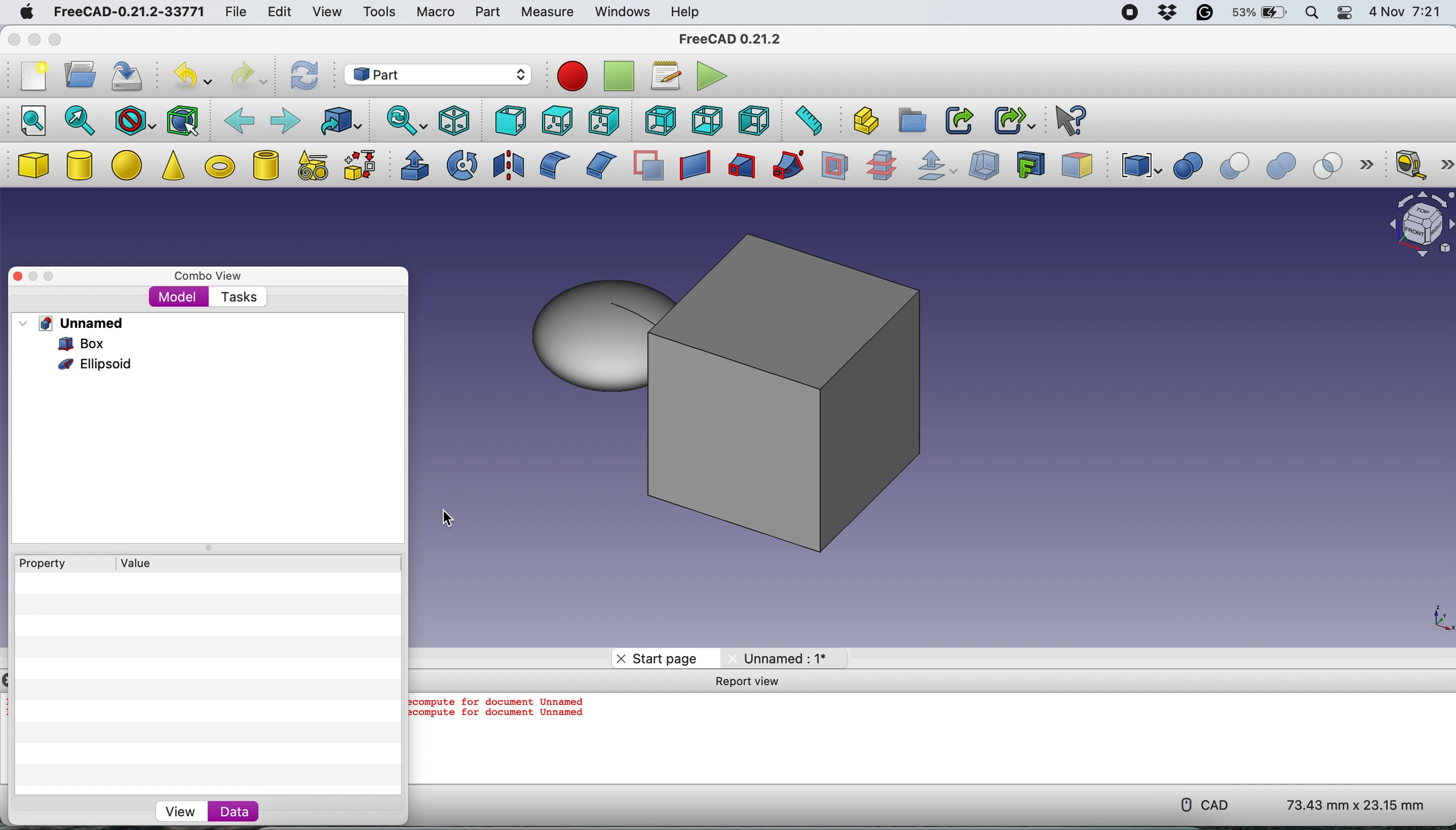 This screenshot has width=1456, height=830. What do you see at coordinates (18, 276) in the screenshot?
I see `close` at bounding box center [18, 276].